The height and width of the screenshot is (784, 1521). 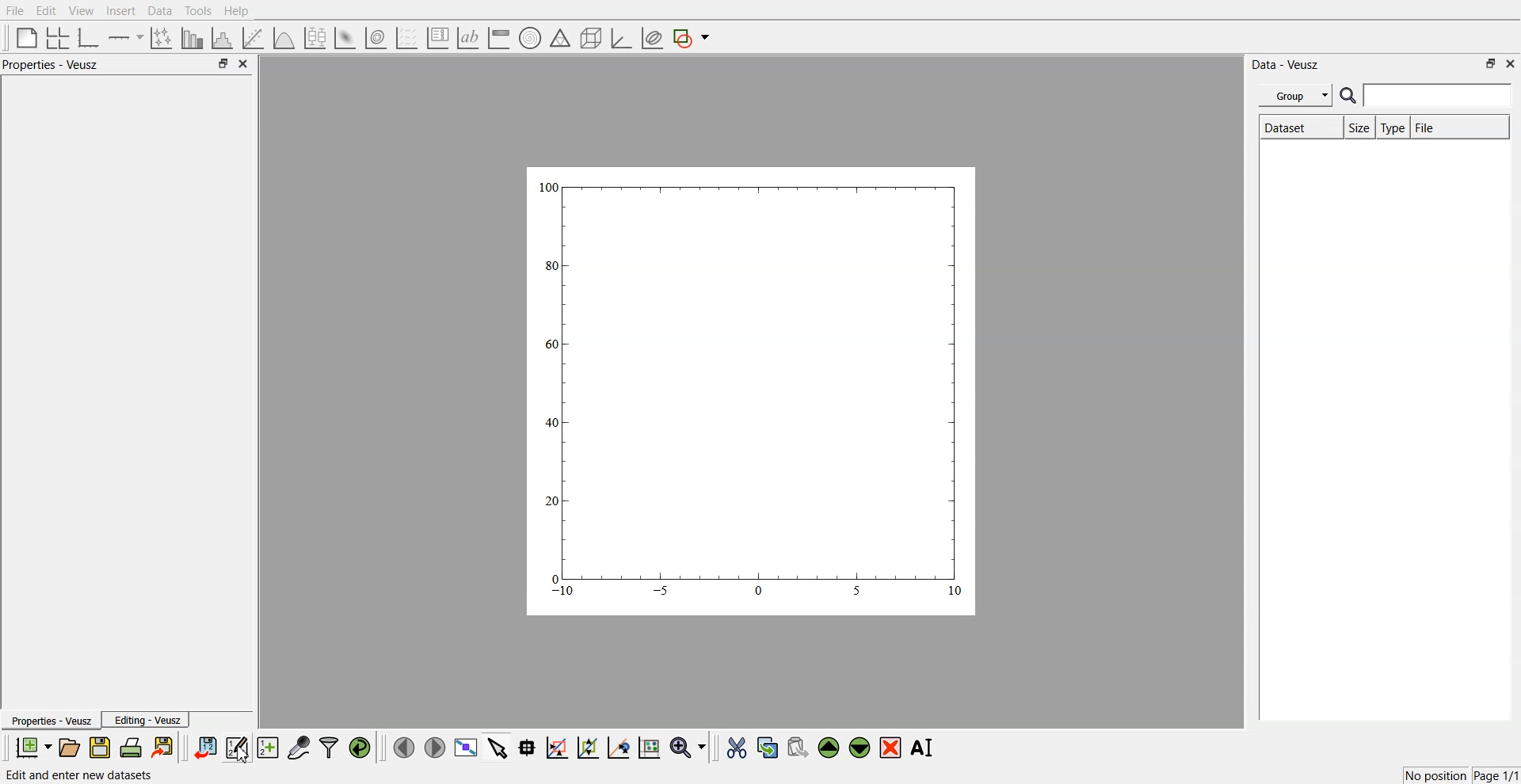 What do you see at coordinates (497, 747) in the screenshot?
I see `select items` at bounding box center [497, 747].